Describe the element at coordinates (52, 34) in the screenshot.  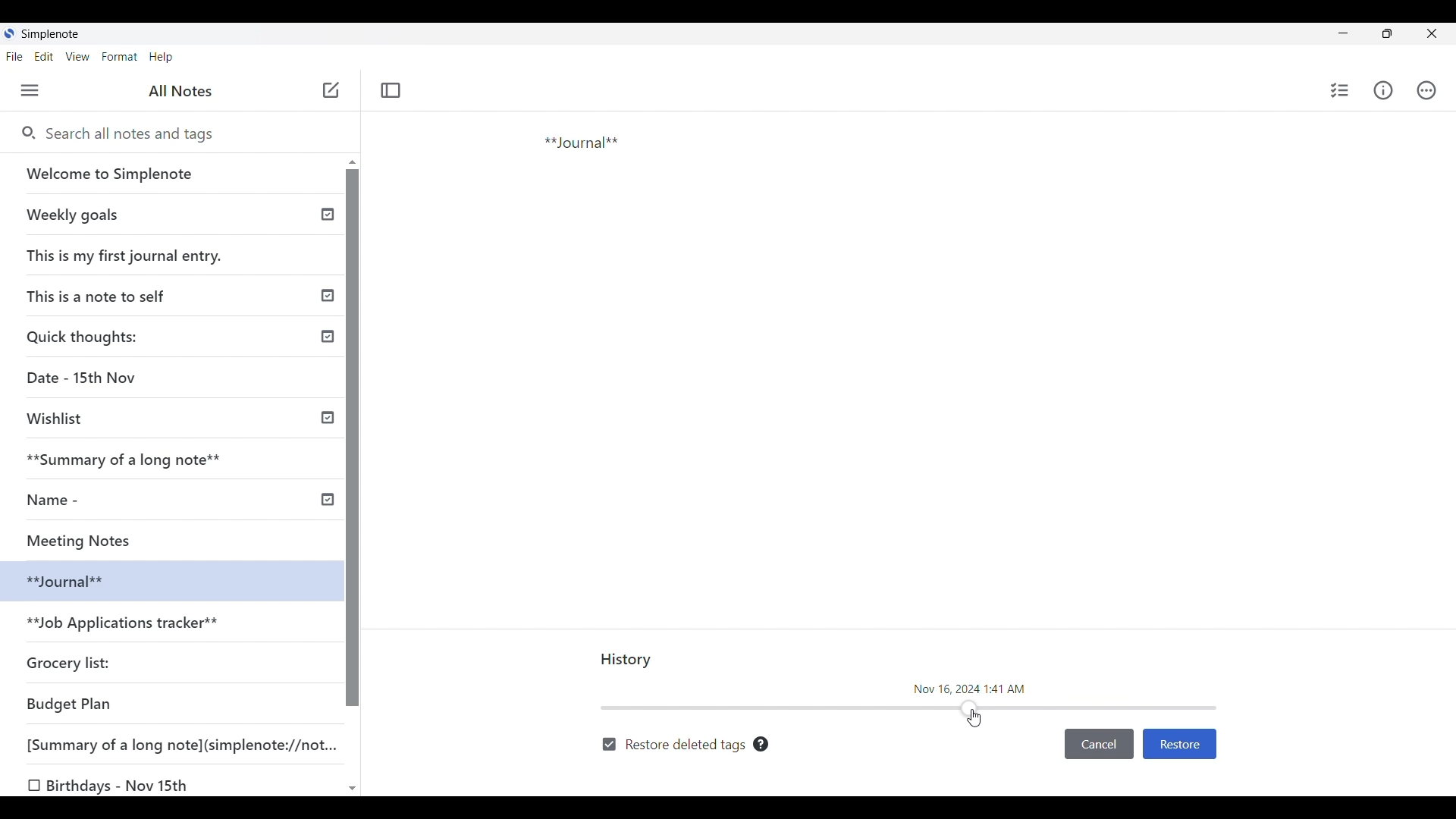
I see `Software name` at that location.